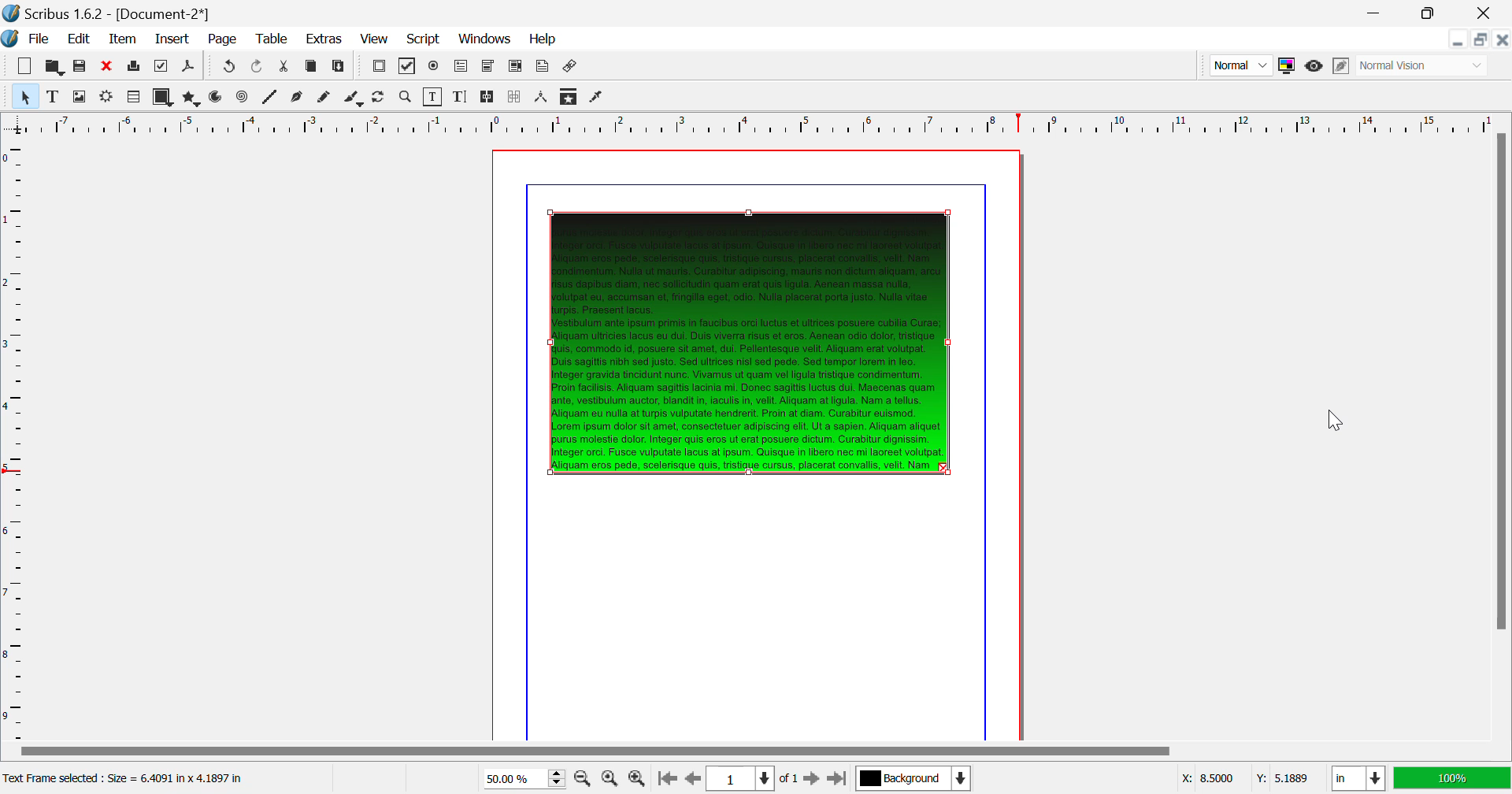 Image resolution: width=1512 pixels, height=794 pixels. I want to click on Open, so click(54, 65).